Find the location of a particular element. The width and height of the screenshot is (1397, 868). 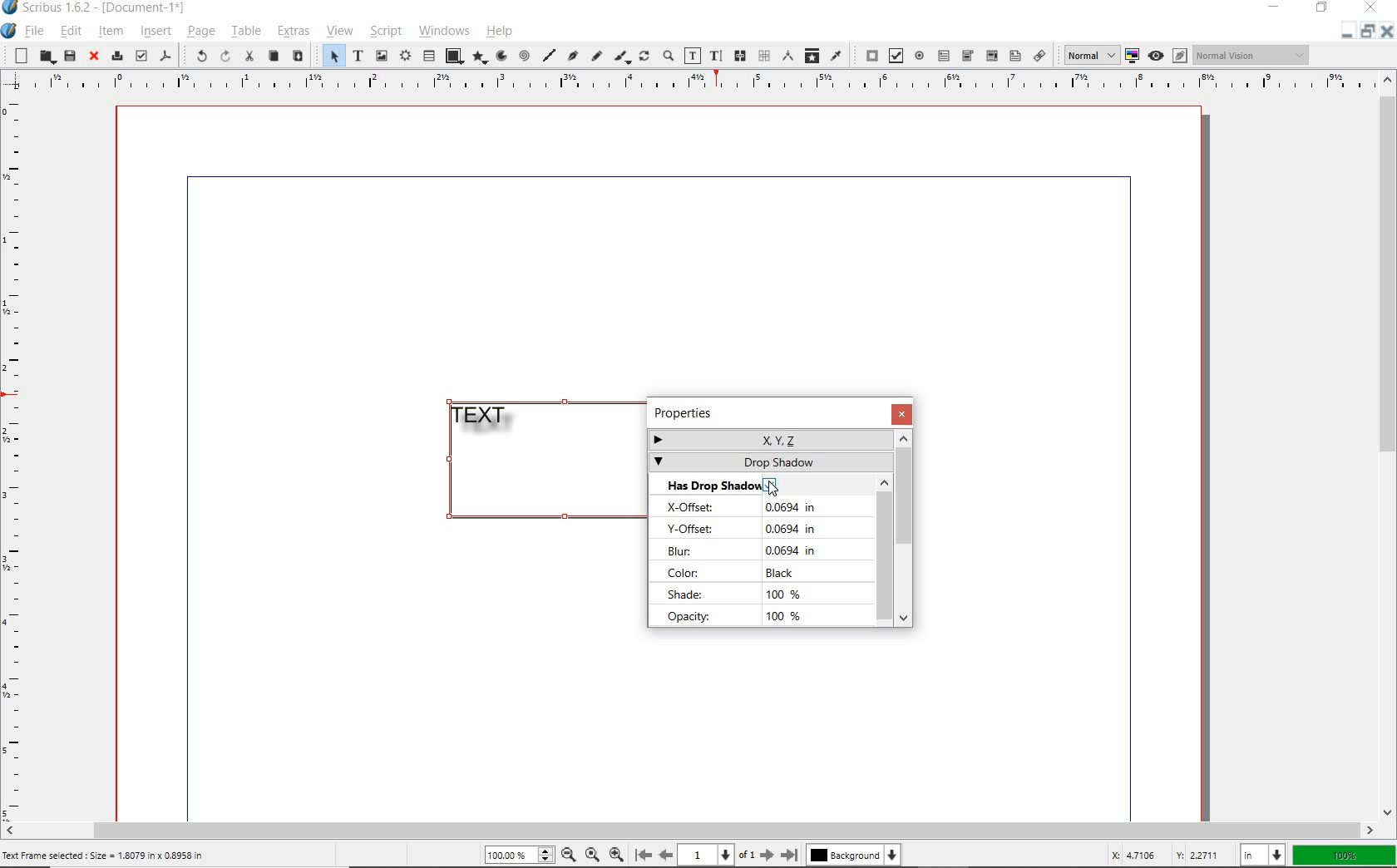

system icon is located at coordinates (7, 31).